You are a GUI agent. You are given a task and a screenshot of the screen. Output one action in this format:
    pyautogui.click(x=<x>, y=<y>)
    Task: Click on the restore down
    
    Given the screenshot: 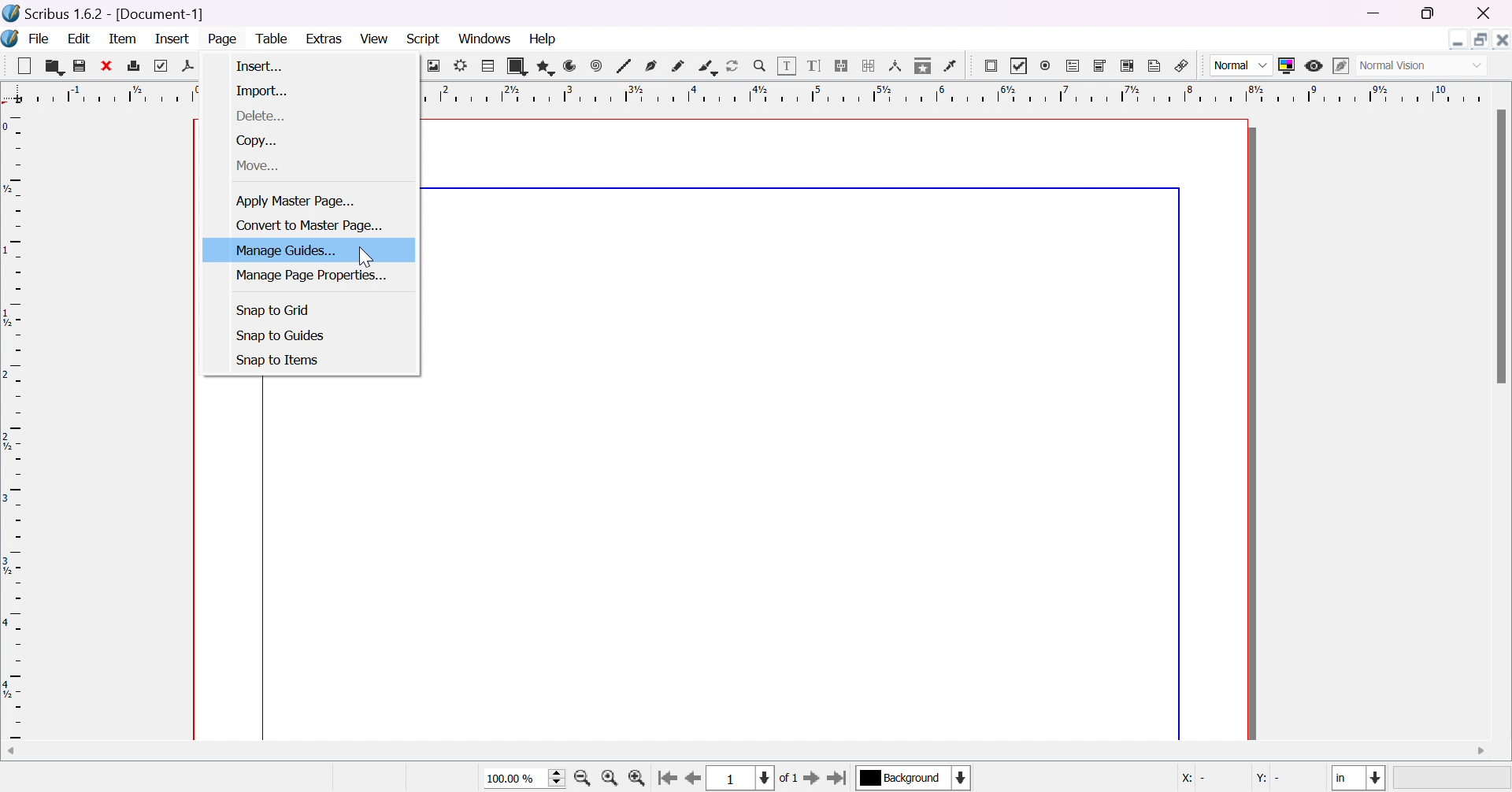 What is the action you would take?
    pyautogui.click(x=1429, y=14)
    